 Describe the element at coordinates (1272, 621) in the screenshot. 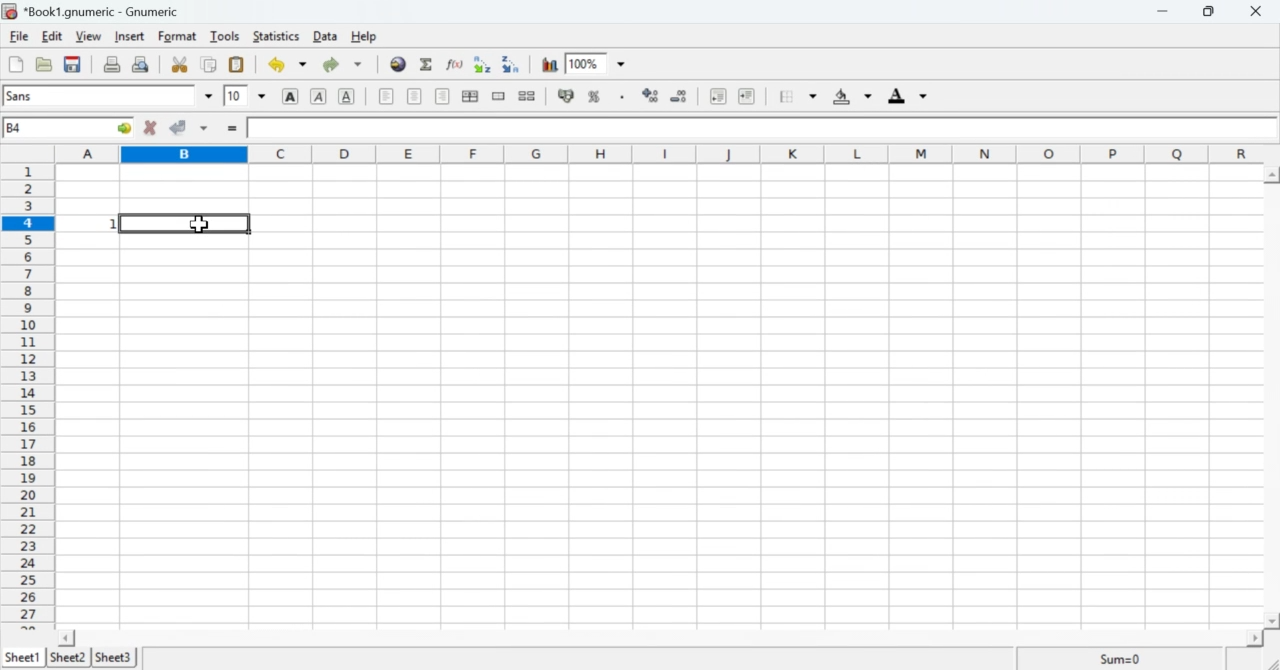

I see `scroll down` at that location.